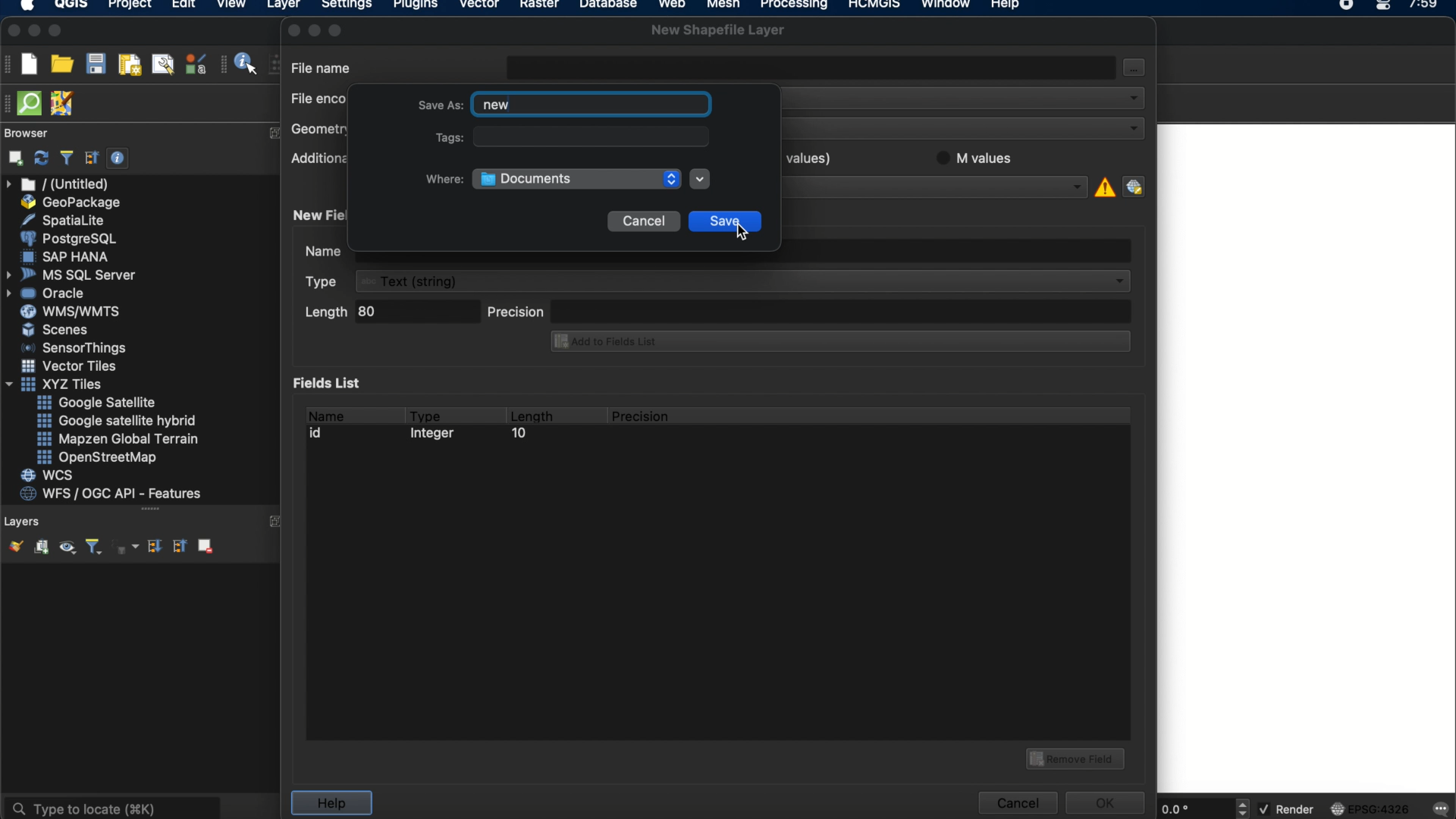 Image resolution: width=1456 pixels, height=819 pixels. I want to click on was/wmts, so click(72, 312).